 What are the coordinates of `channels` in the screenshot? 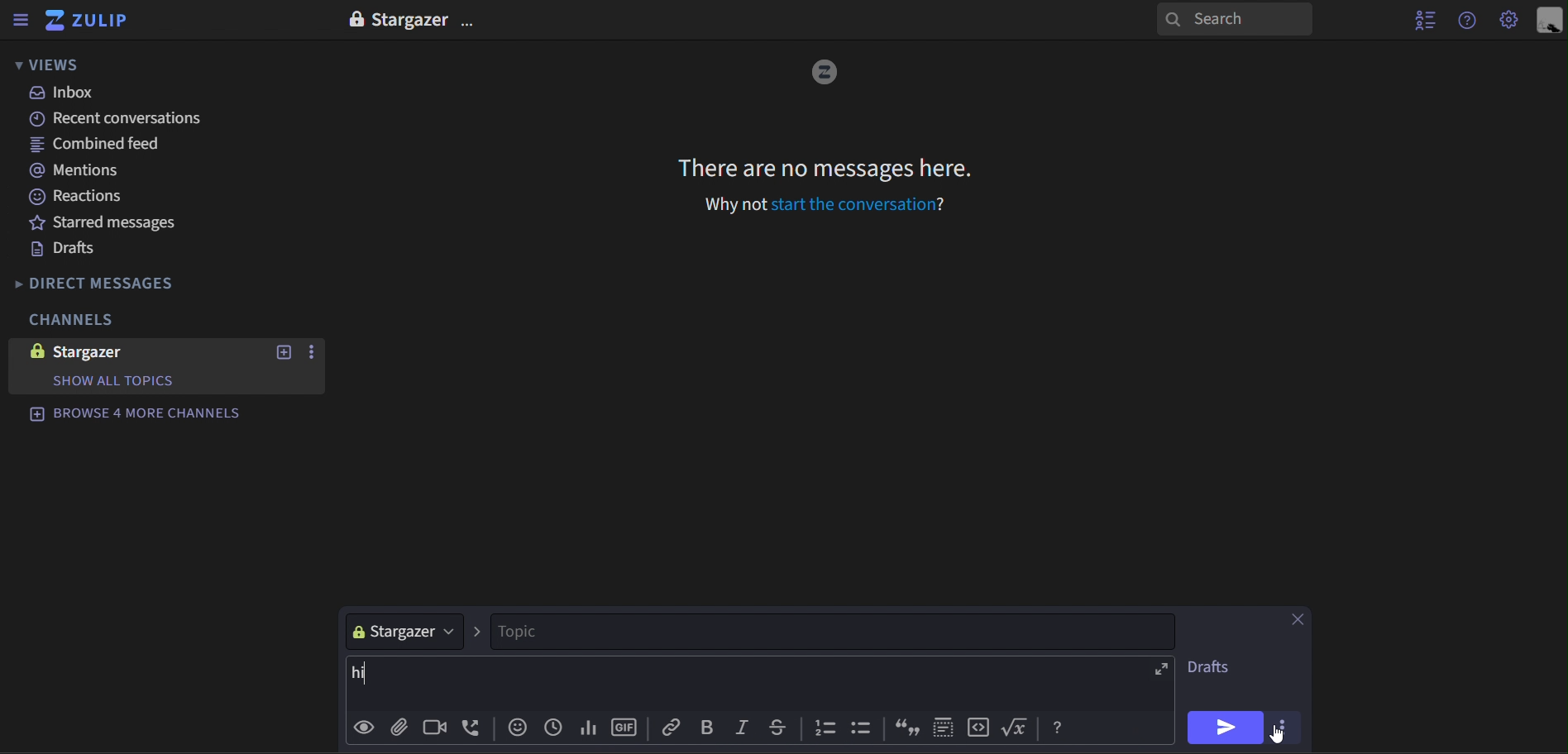 It's located at (97, 317).